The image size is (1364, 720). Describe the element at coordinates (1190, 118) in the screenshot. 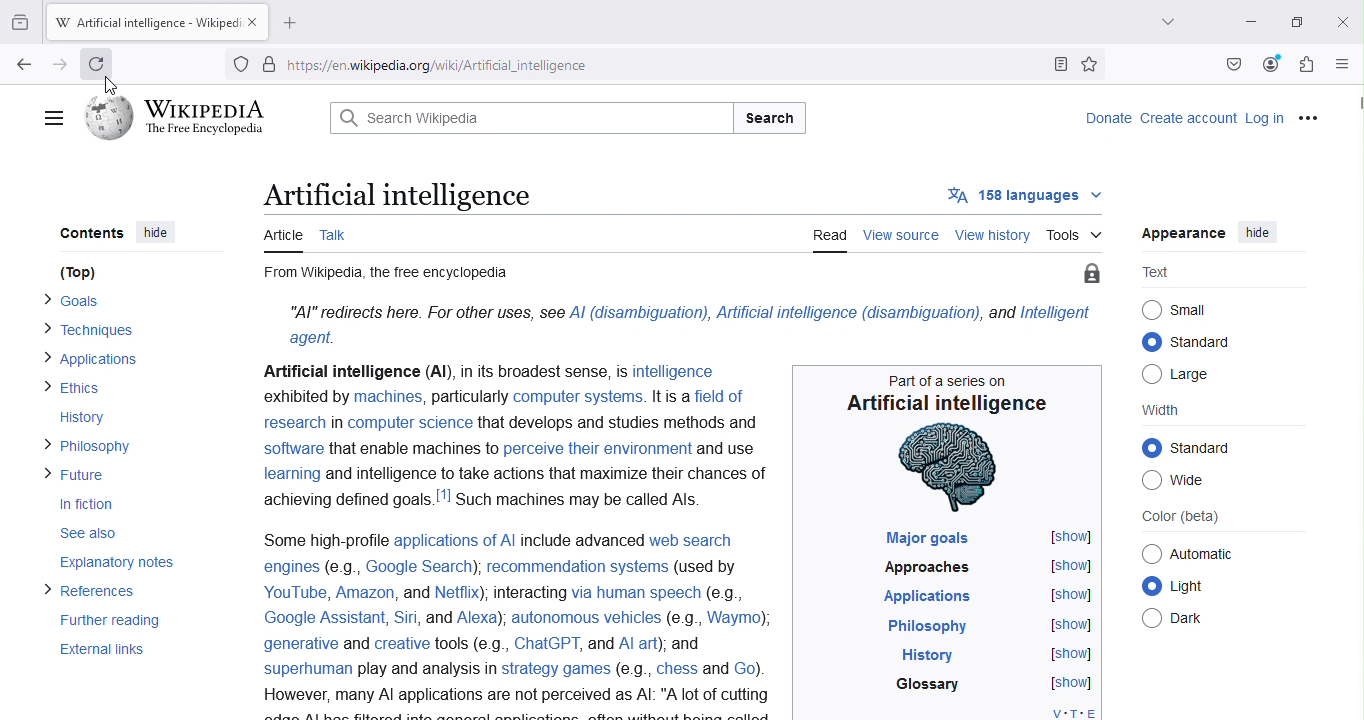

I see `Create account` at that location.